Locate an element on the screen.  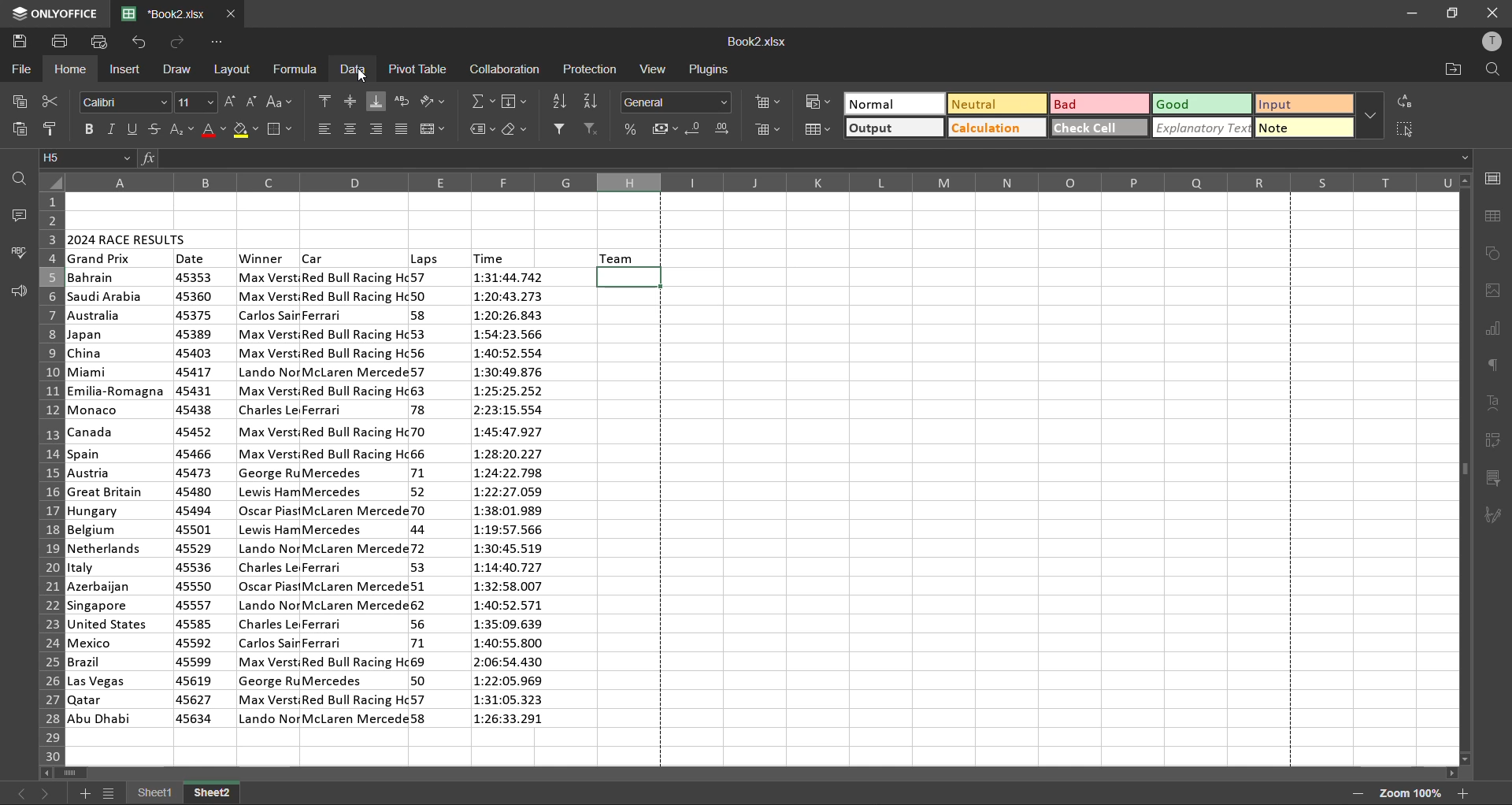
cursor is located at coordinates (362, 80).